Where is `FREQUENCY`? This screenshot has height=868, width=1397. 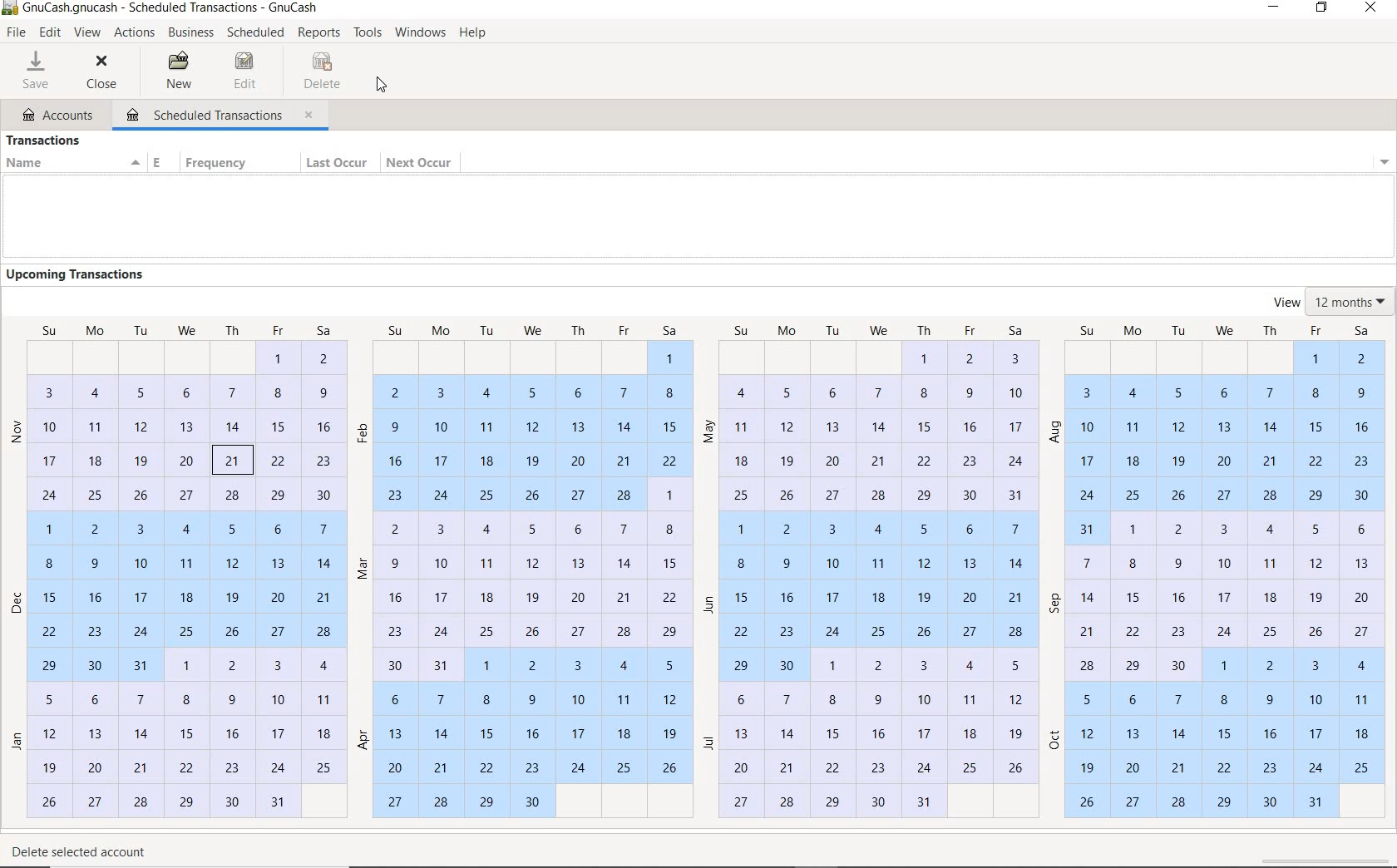
FREQUENCY is located at coordinates (218, 165).